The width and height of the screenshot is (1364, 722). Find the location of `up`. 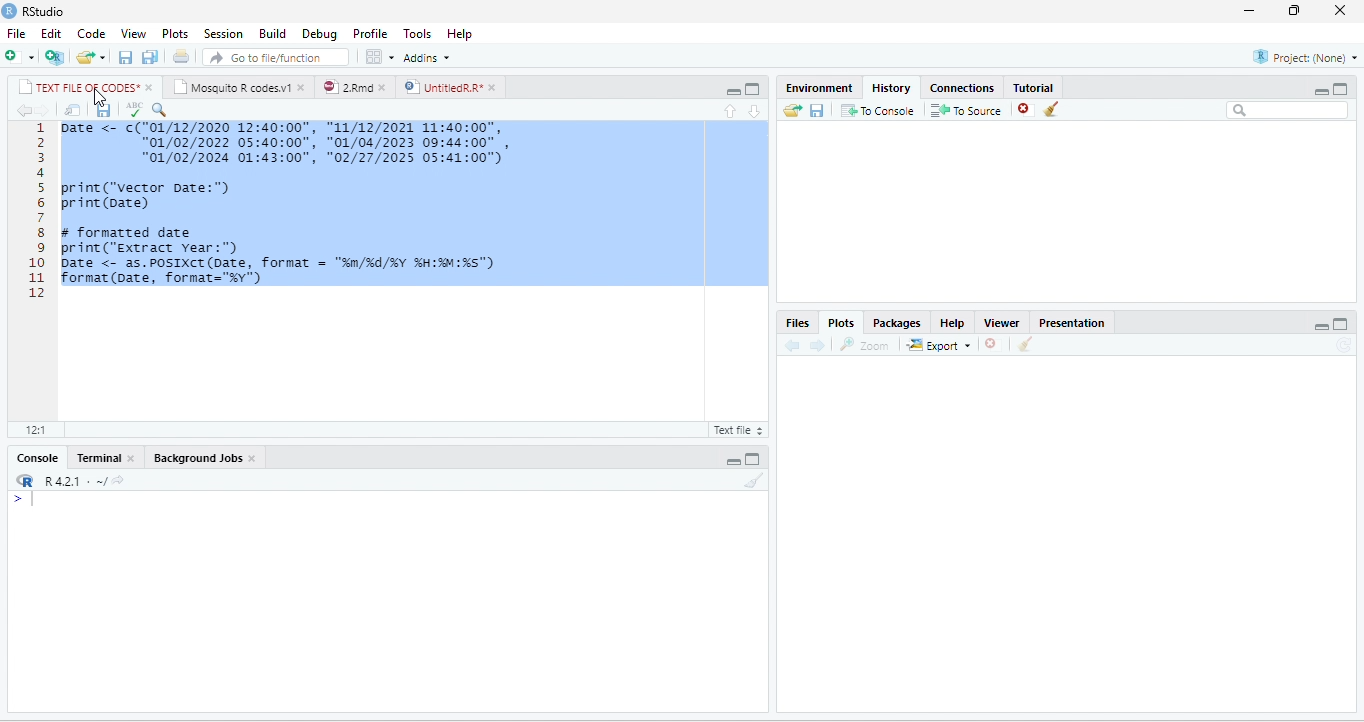

up is located at coordinates (730, 111).